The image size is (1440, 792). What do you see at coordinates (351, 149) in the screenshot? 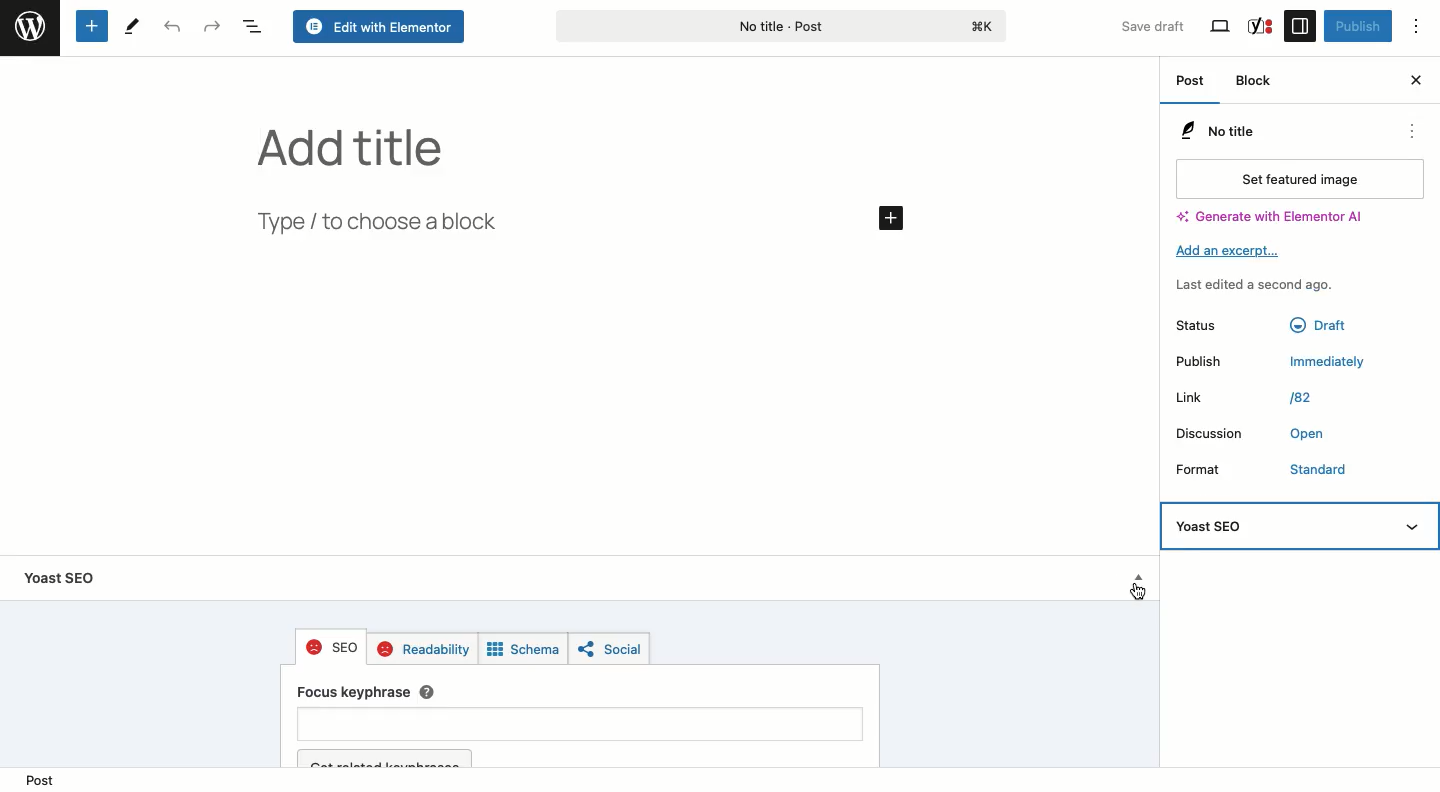
I see `Add title` at bounding box center [351, 149].